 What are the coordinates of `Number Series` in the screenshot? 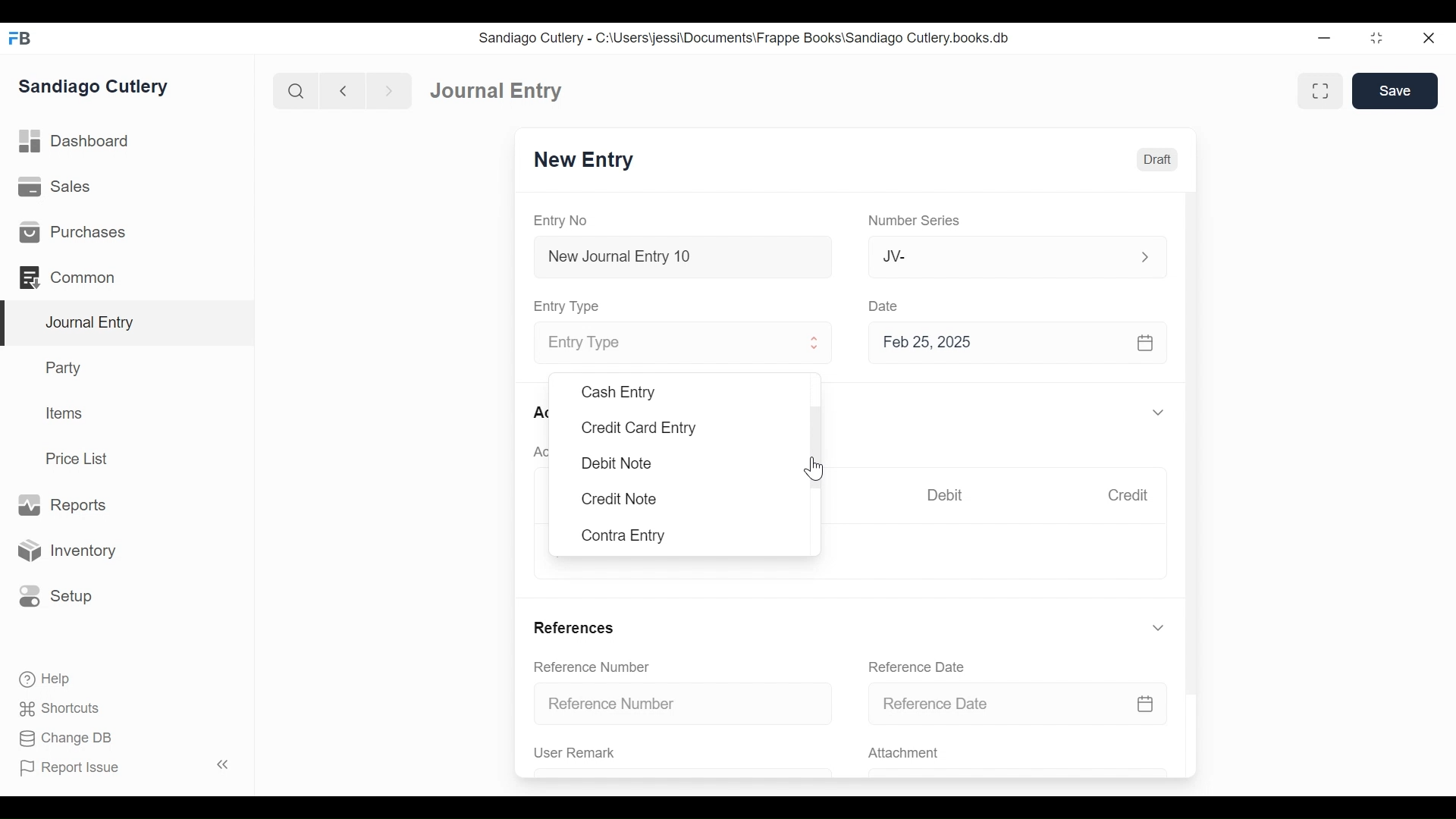 It's located at (917, 221).